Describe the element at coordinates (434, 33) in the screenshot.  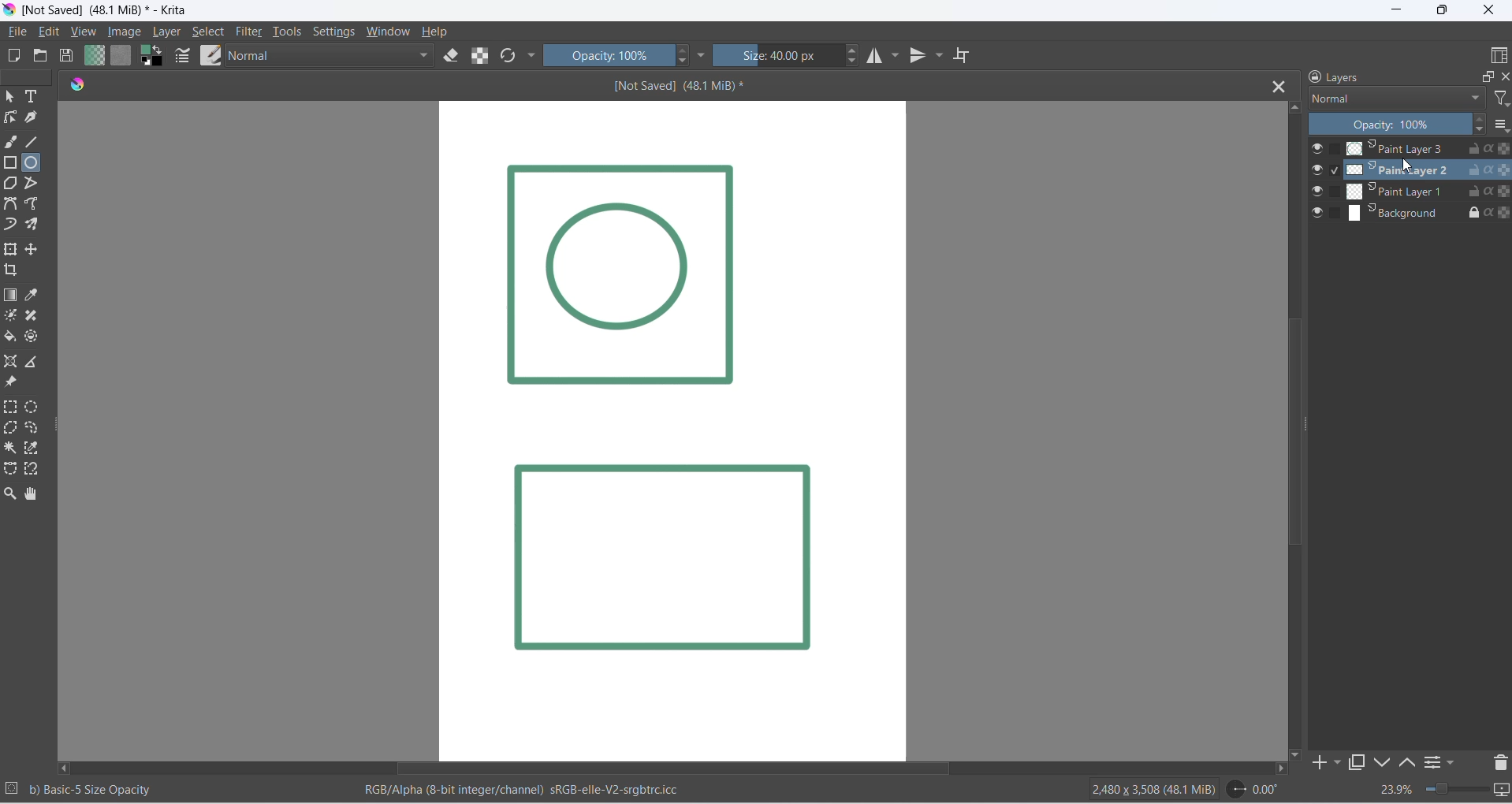
I see `help` at that location.